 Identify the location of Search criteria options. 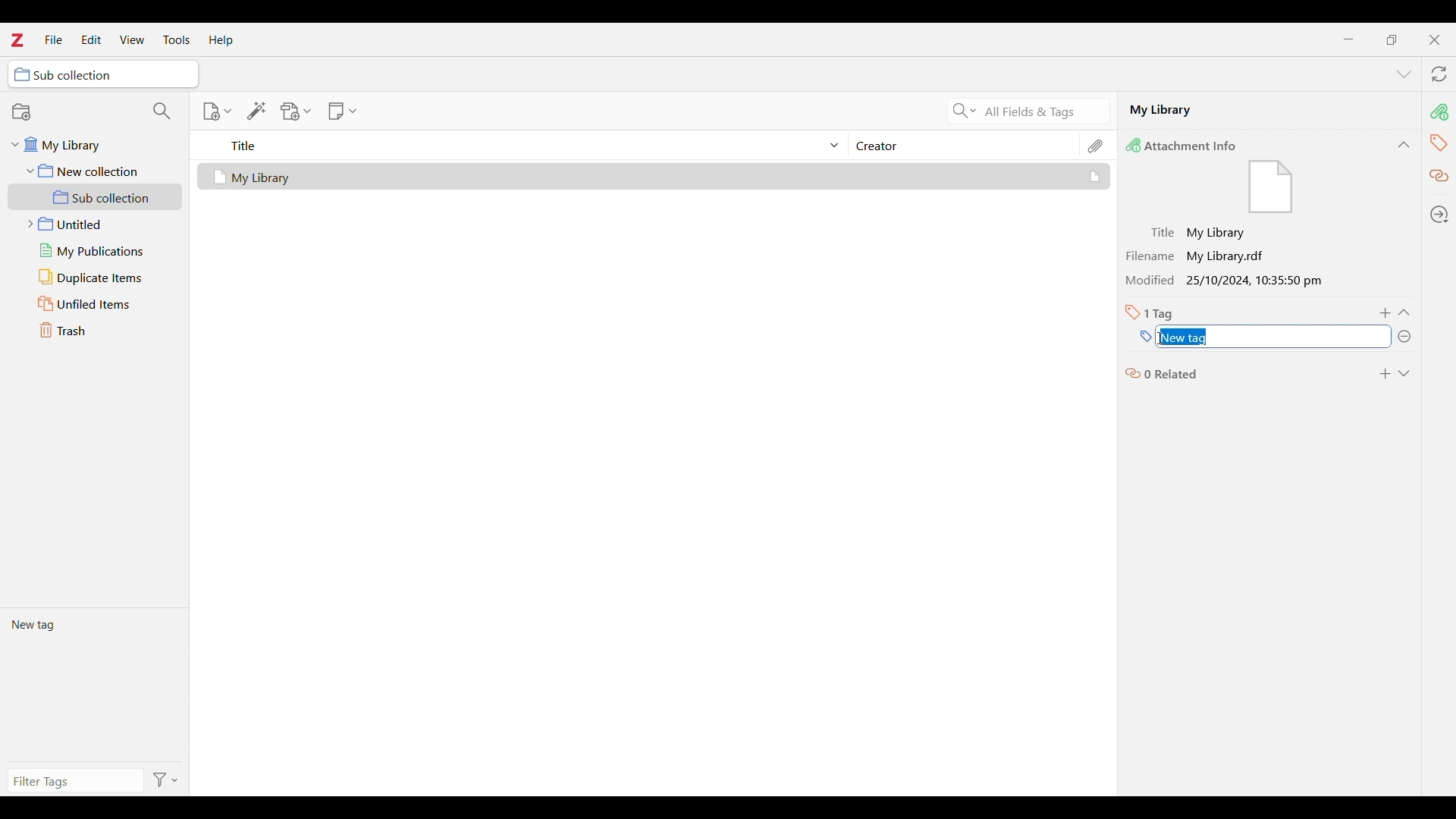
(965, 110).